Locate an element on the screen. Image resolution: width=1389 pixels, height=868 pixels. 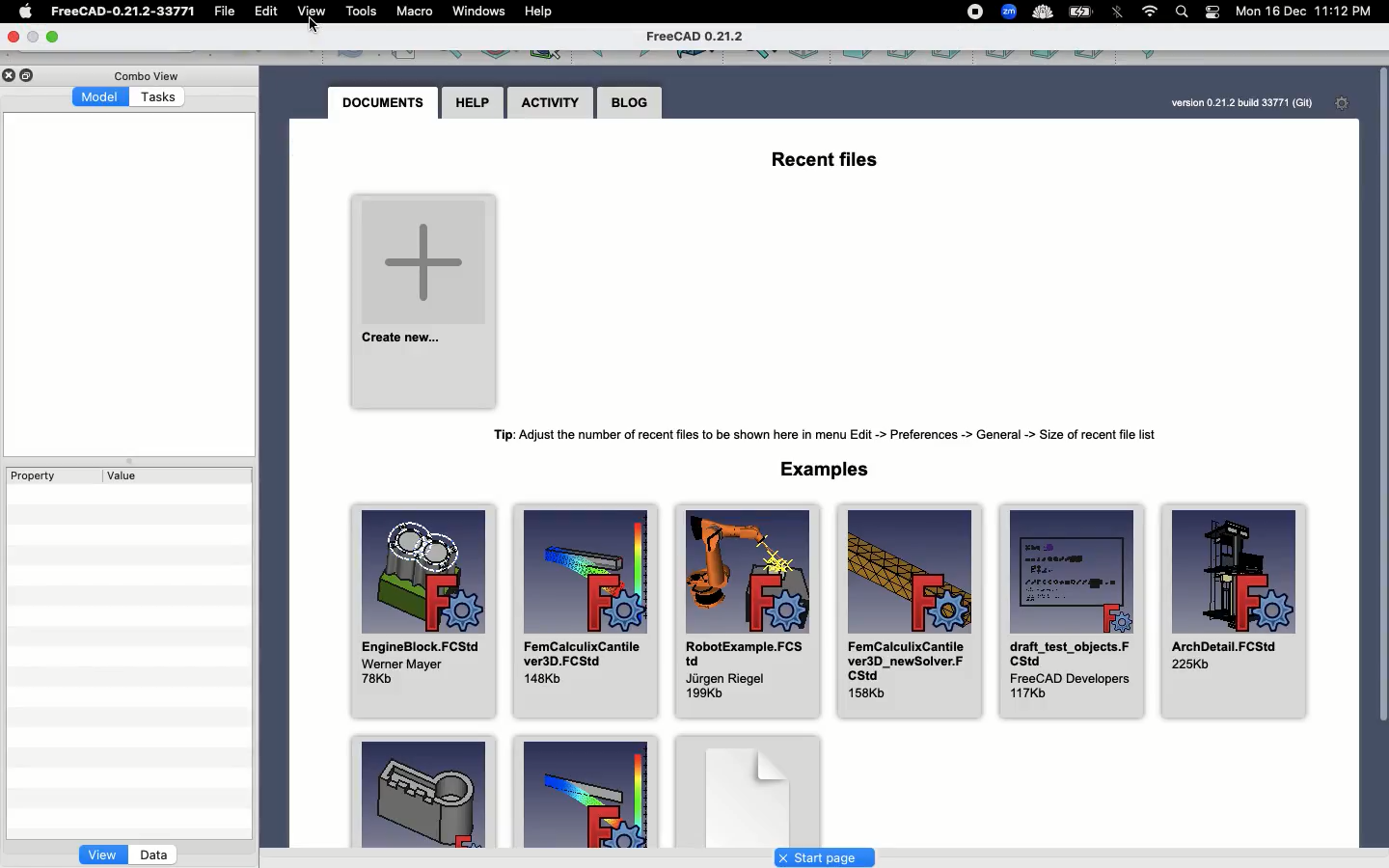
Examples is located at coordinates (828, 470).